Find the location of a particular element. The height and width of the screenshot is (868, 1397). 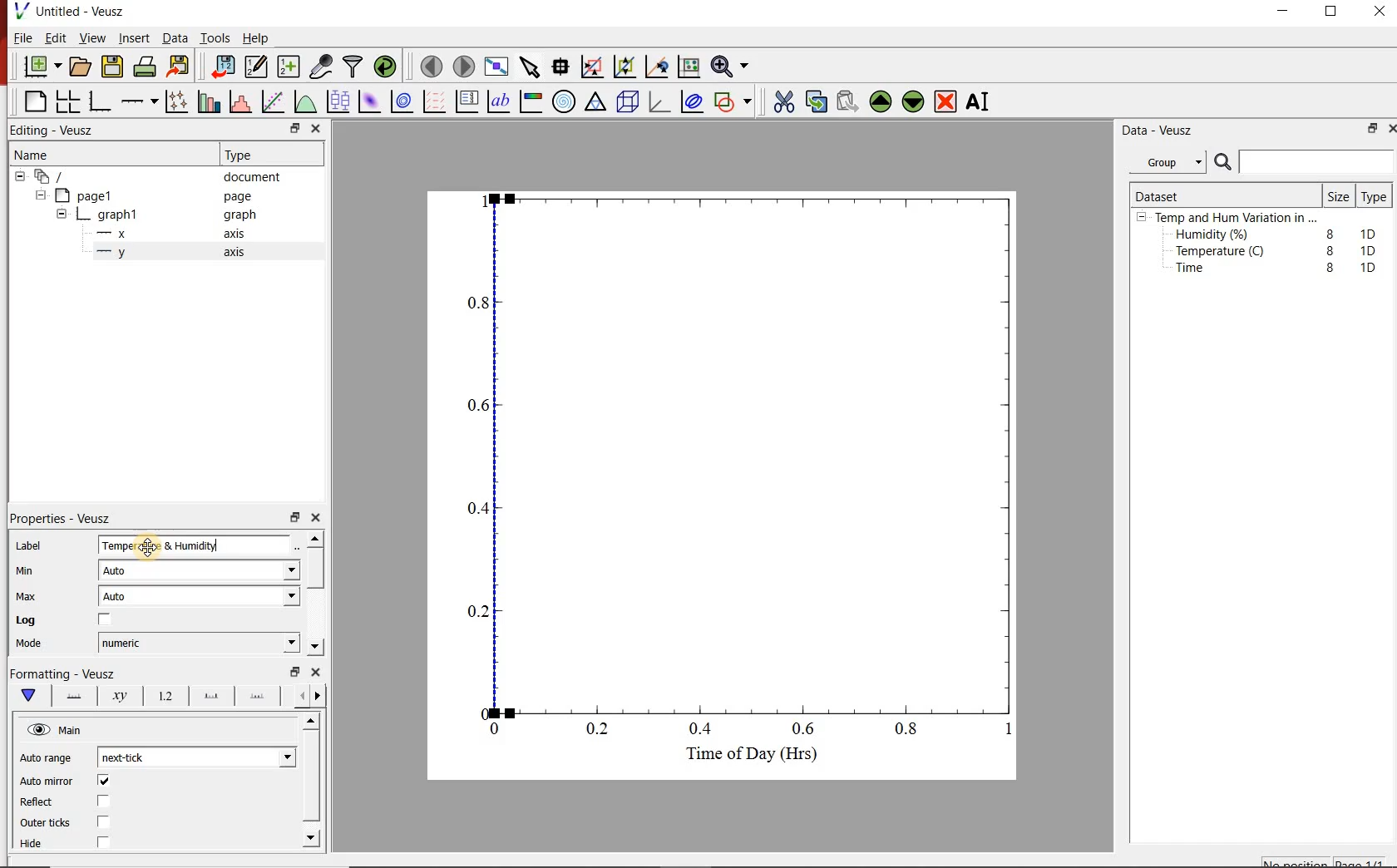

Temperature & Humidity is located at coordinates (180, 546).